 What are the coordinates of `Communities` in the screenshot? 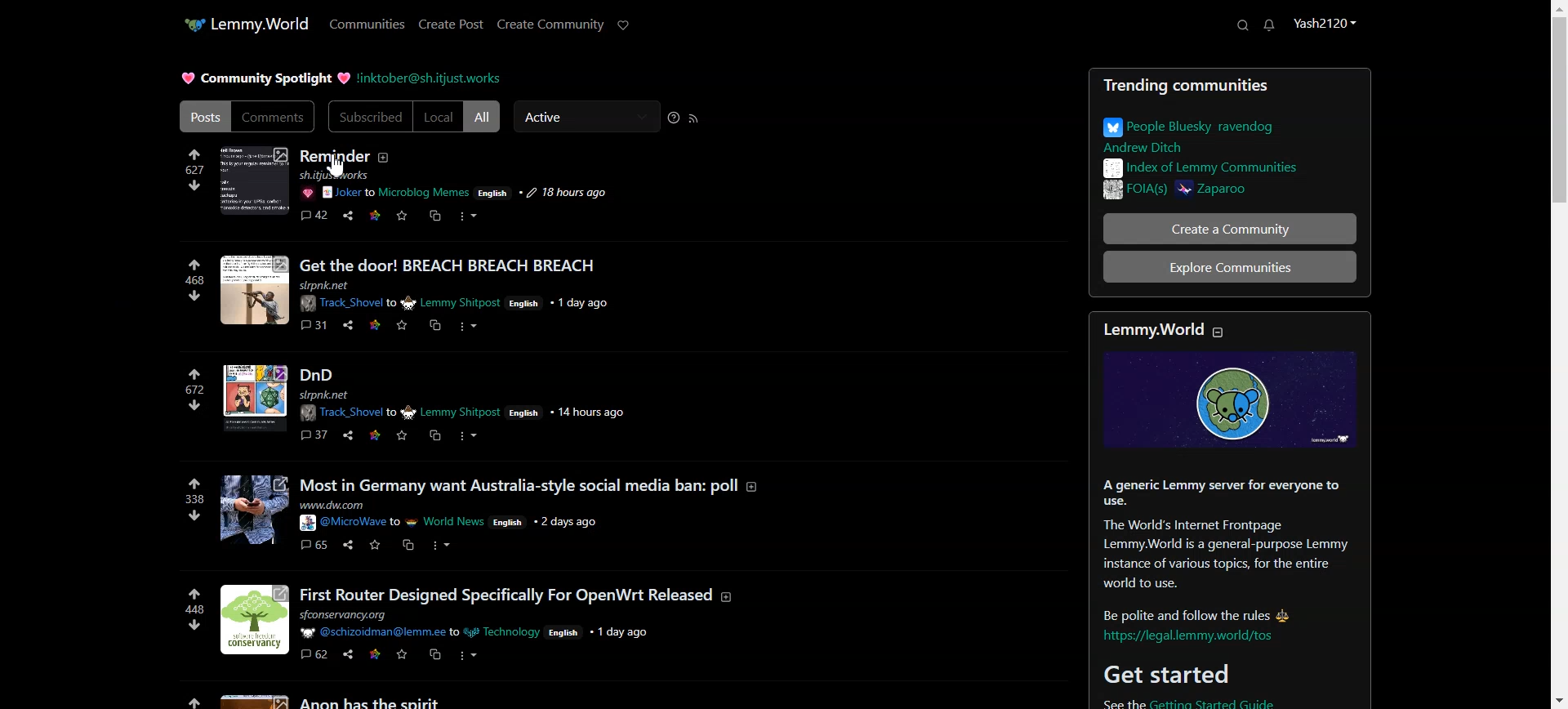 It's located at (367, 23).